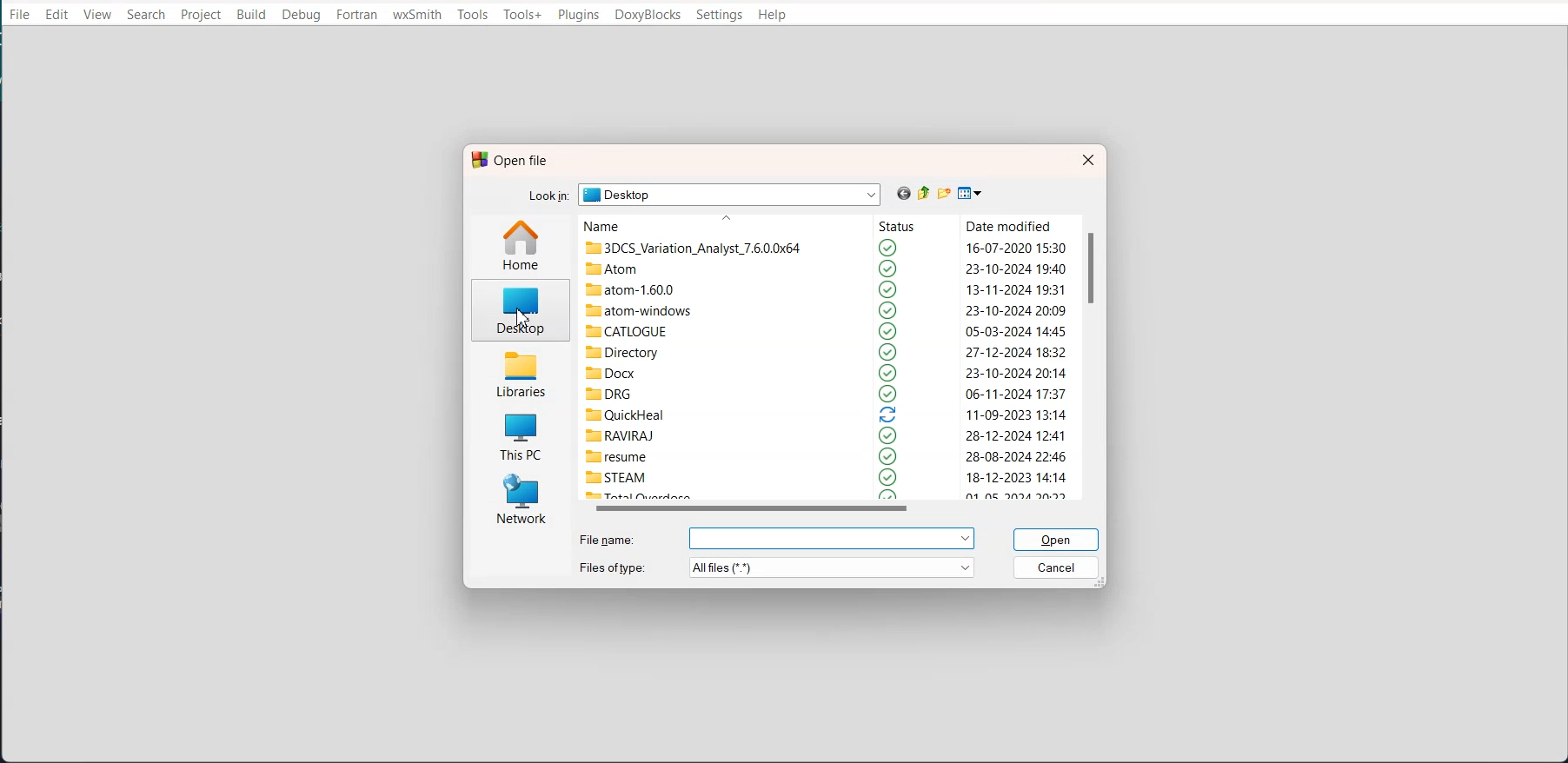 The width and height of the screenshot is (1568, 763). Describe the element at coordinates (301, 15) in the screenshot. I see `Debug` at that location.